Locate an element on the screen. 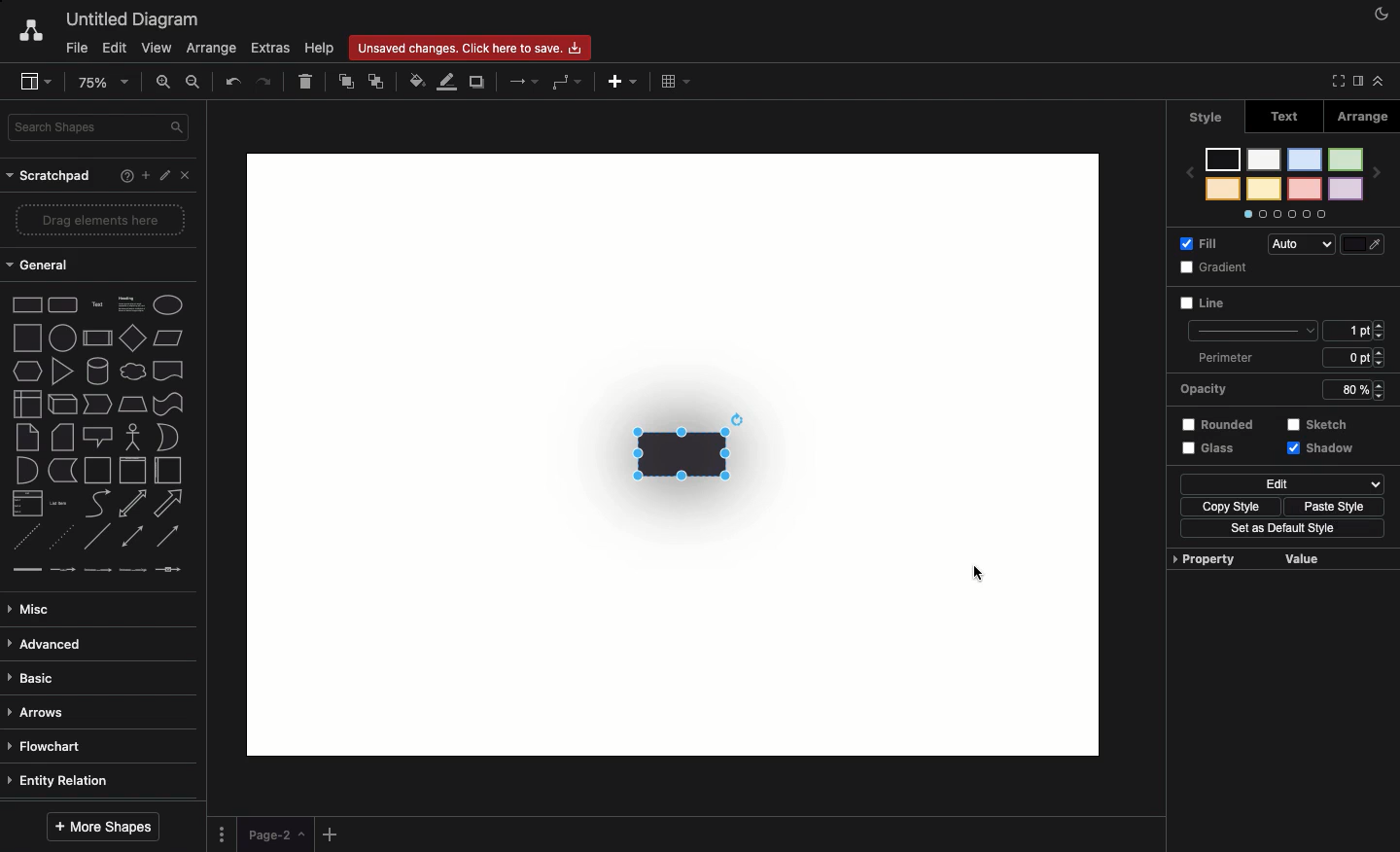 The image size is (1400, 852). Sketch is located at coordinates (1319, 424).